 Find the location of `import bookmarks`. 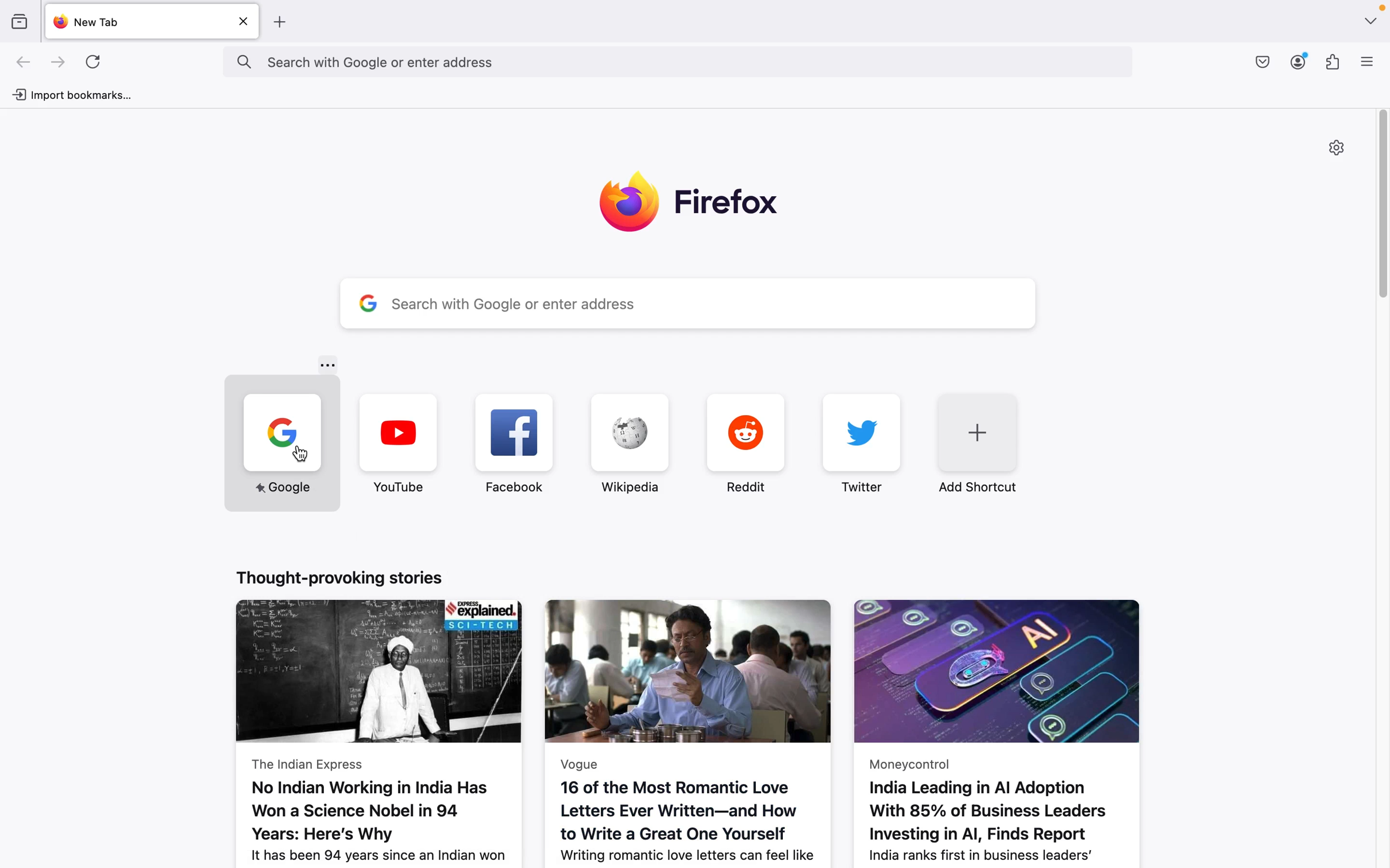

import bookmarks is located at coordinates (82, 94).